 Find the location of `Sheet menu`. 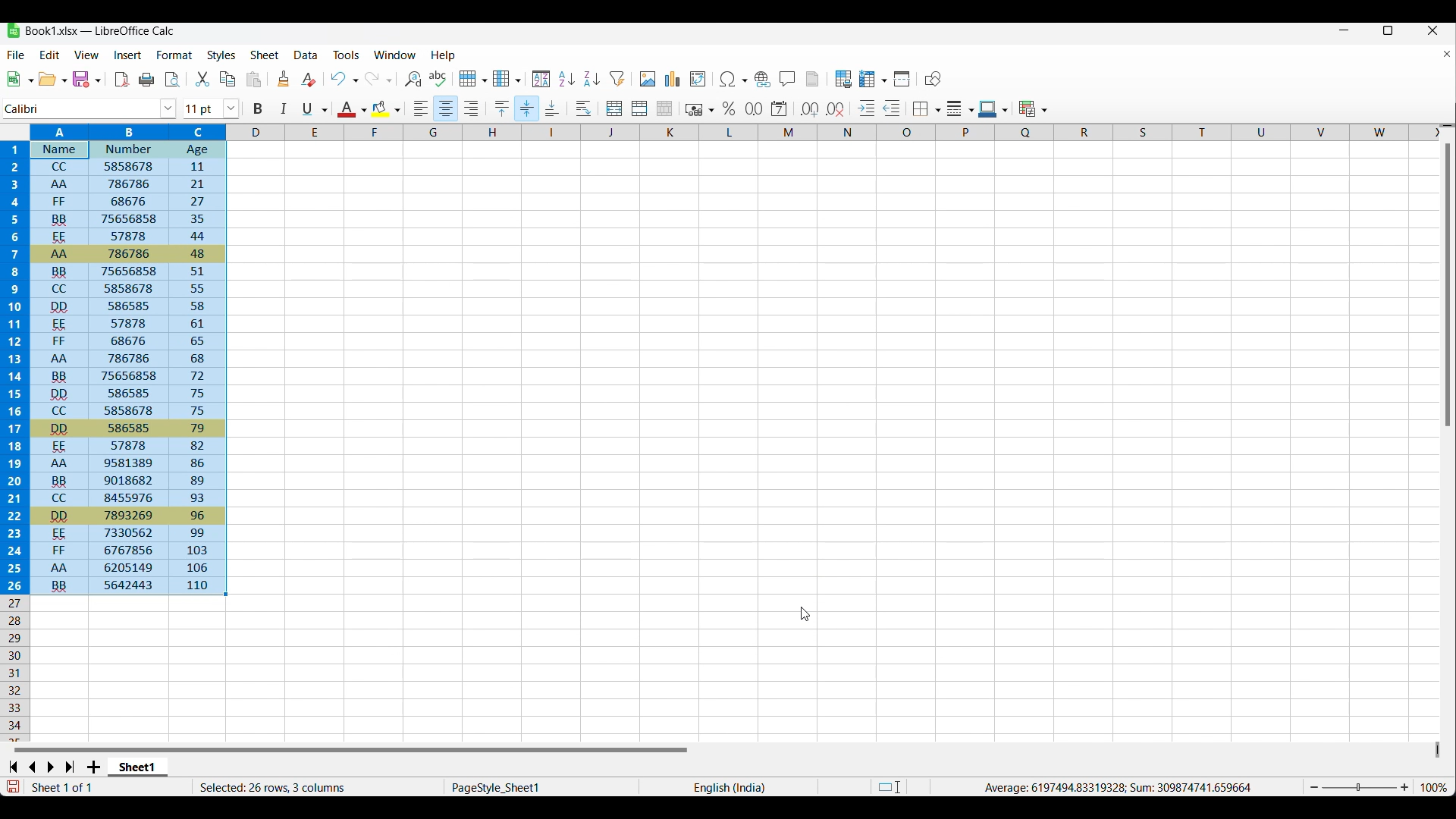

Sheet menu is located at coordinates (265, 55).